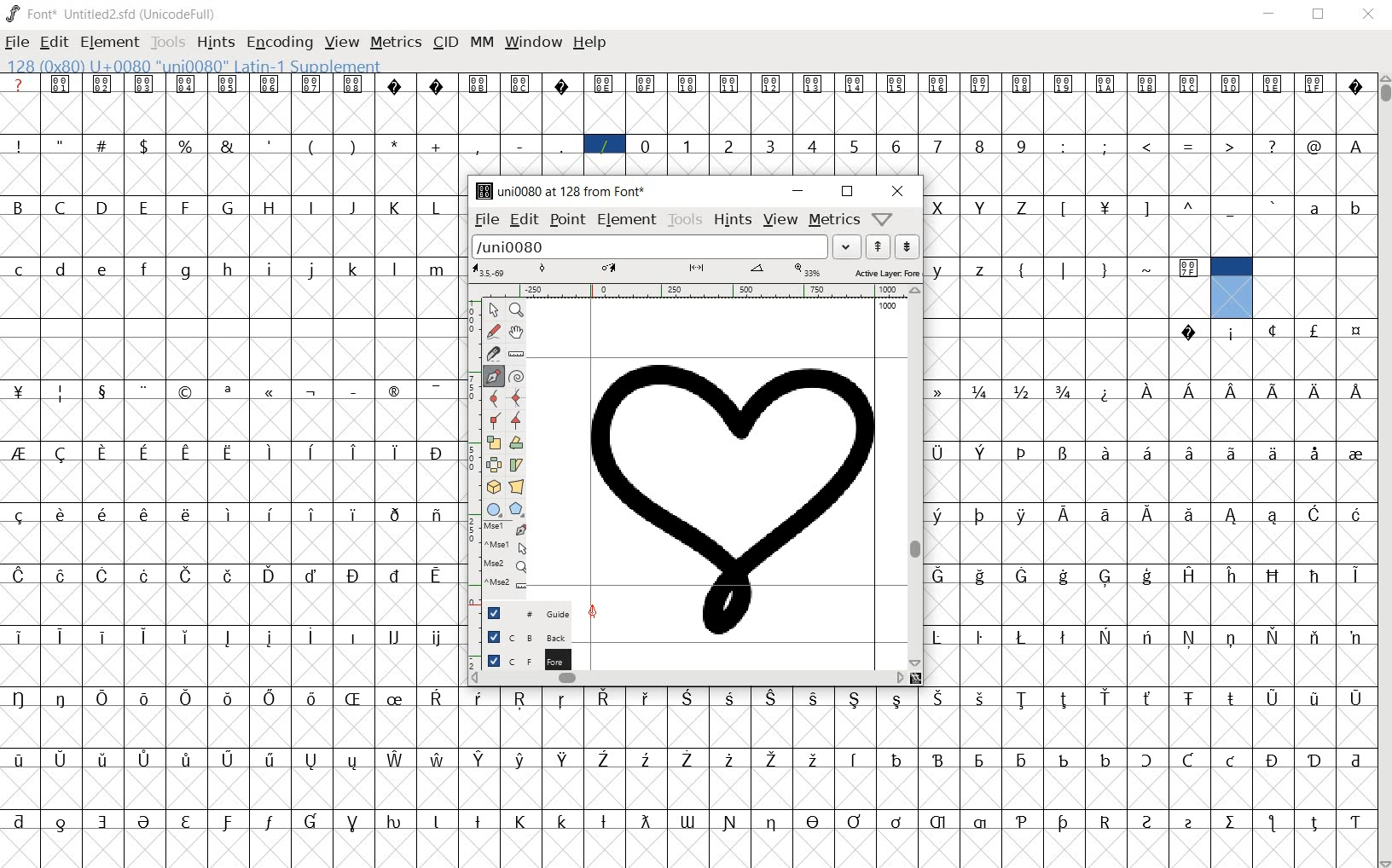 The width and height of the screenshot is (1392, 868). What do you see at coordinates (354, 515) in the screenshot?
I see `glyph` at bounding box center [354, 515].